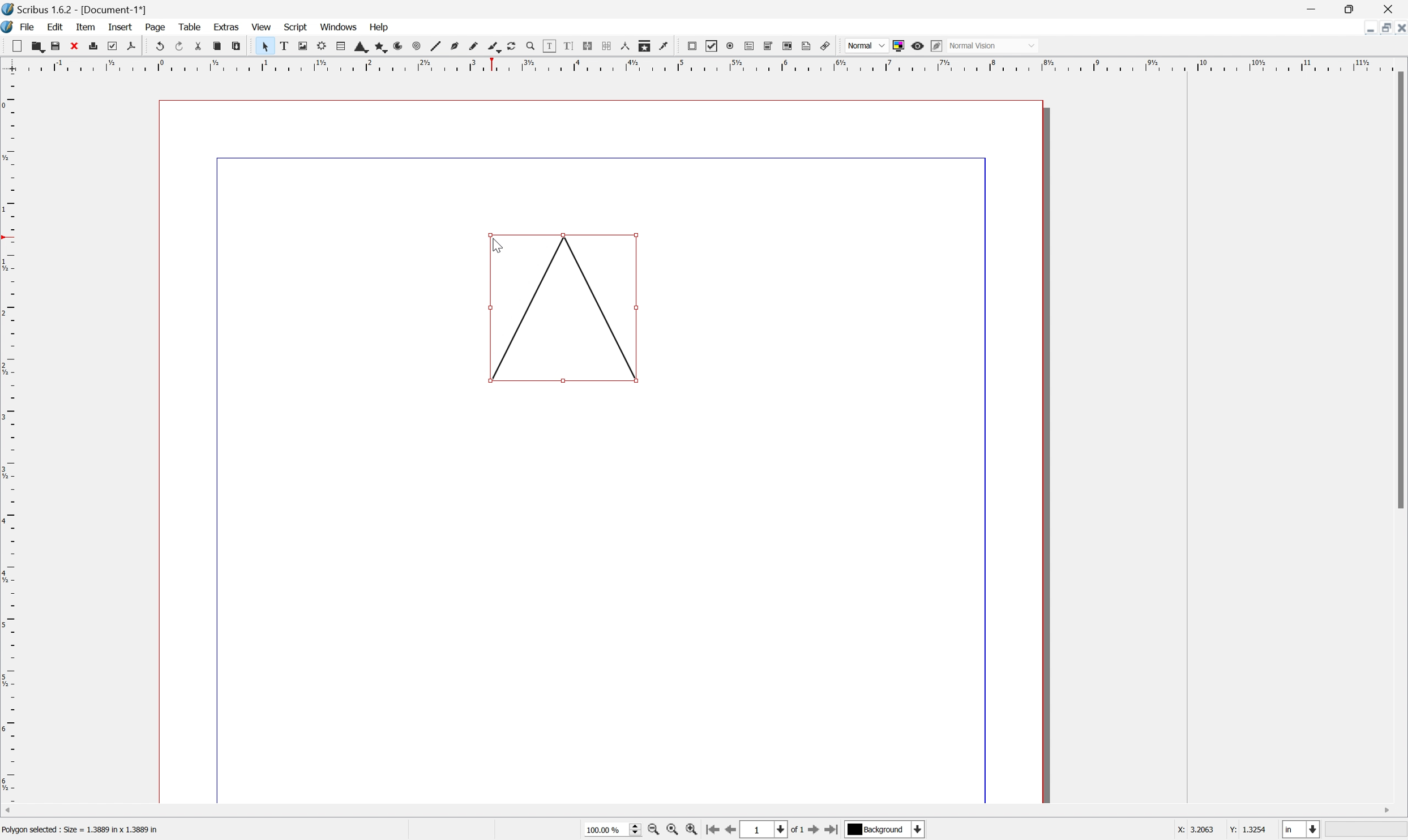 The width and height of the screenshot is (1408, 840). Describe the element at coordinates (878, 829) in the screenshot. I see `Background` at that location.